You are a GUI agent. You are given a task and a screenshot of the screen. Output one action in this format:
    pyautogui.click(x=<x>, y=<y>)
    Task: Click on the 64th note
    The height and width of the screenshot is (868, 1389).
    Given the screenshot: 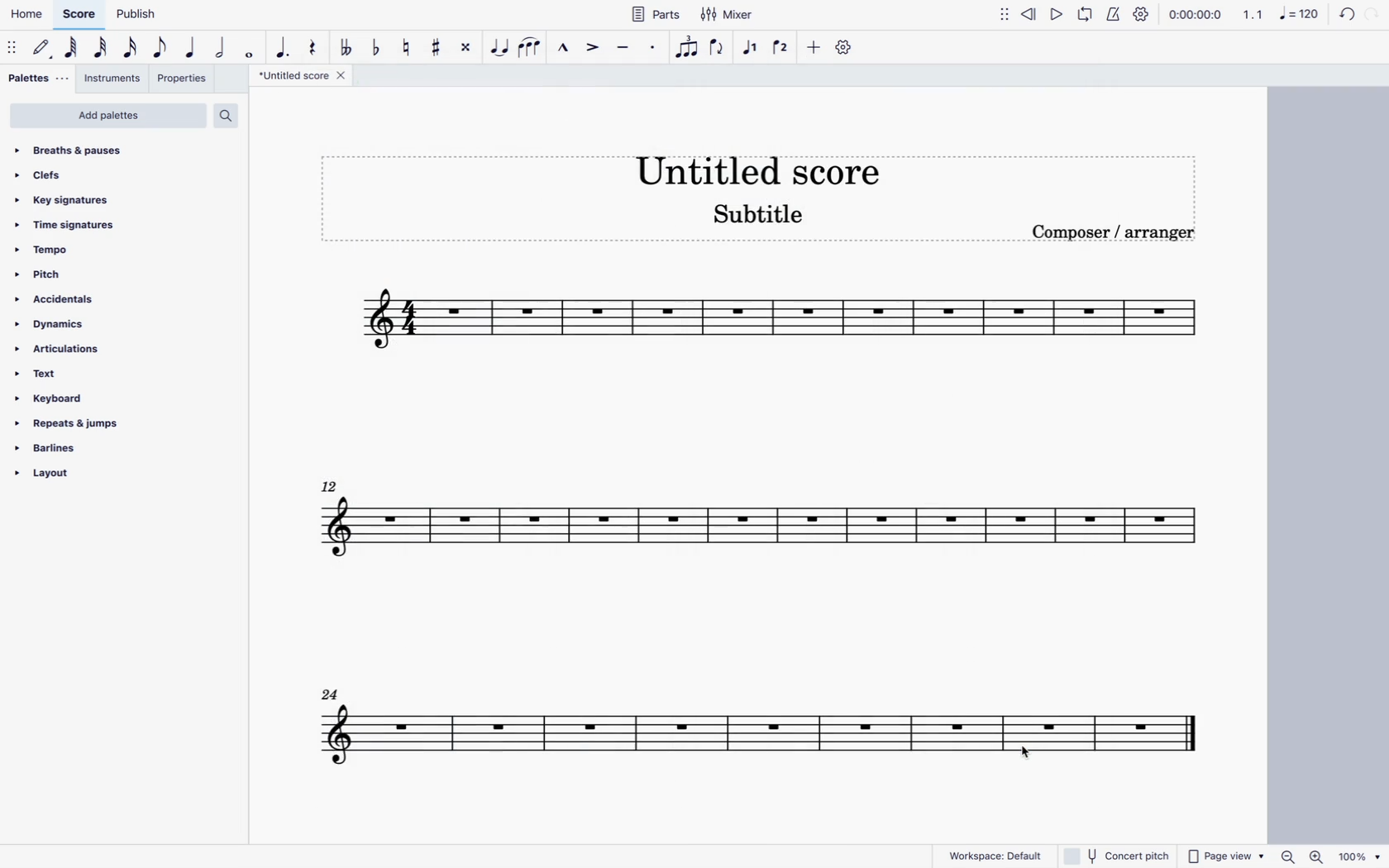 What is the action you would take?
    pyautogui.click(x=70, y=46)
    